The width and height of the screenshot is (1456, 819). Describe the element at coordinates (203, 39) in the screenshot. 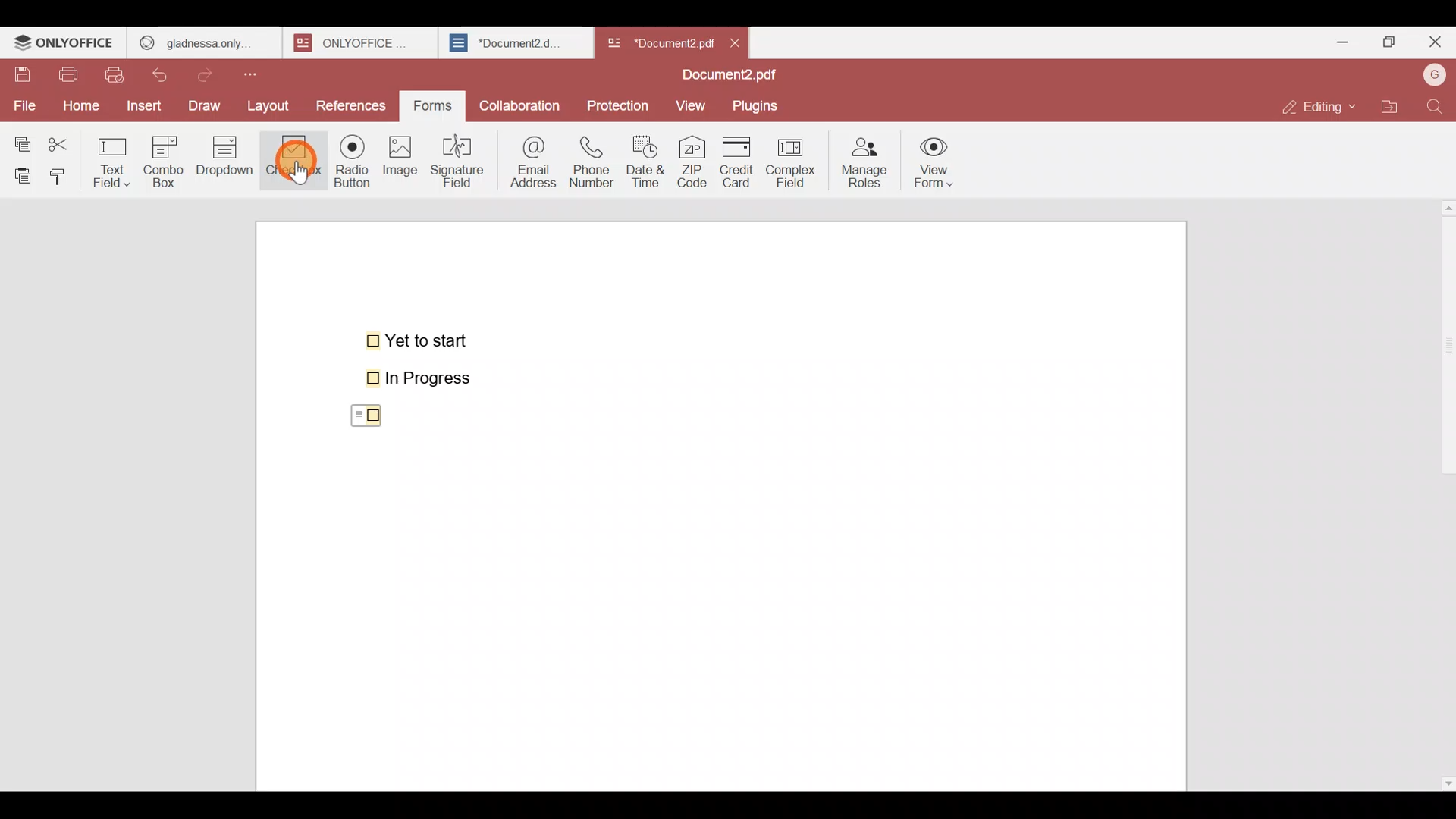

I see `gladness only` at that location.